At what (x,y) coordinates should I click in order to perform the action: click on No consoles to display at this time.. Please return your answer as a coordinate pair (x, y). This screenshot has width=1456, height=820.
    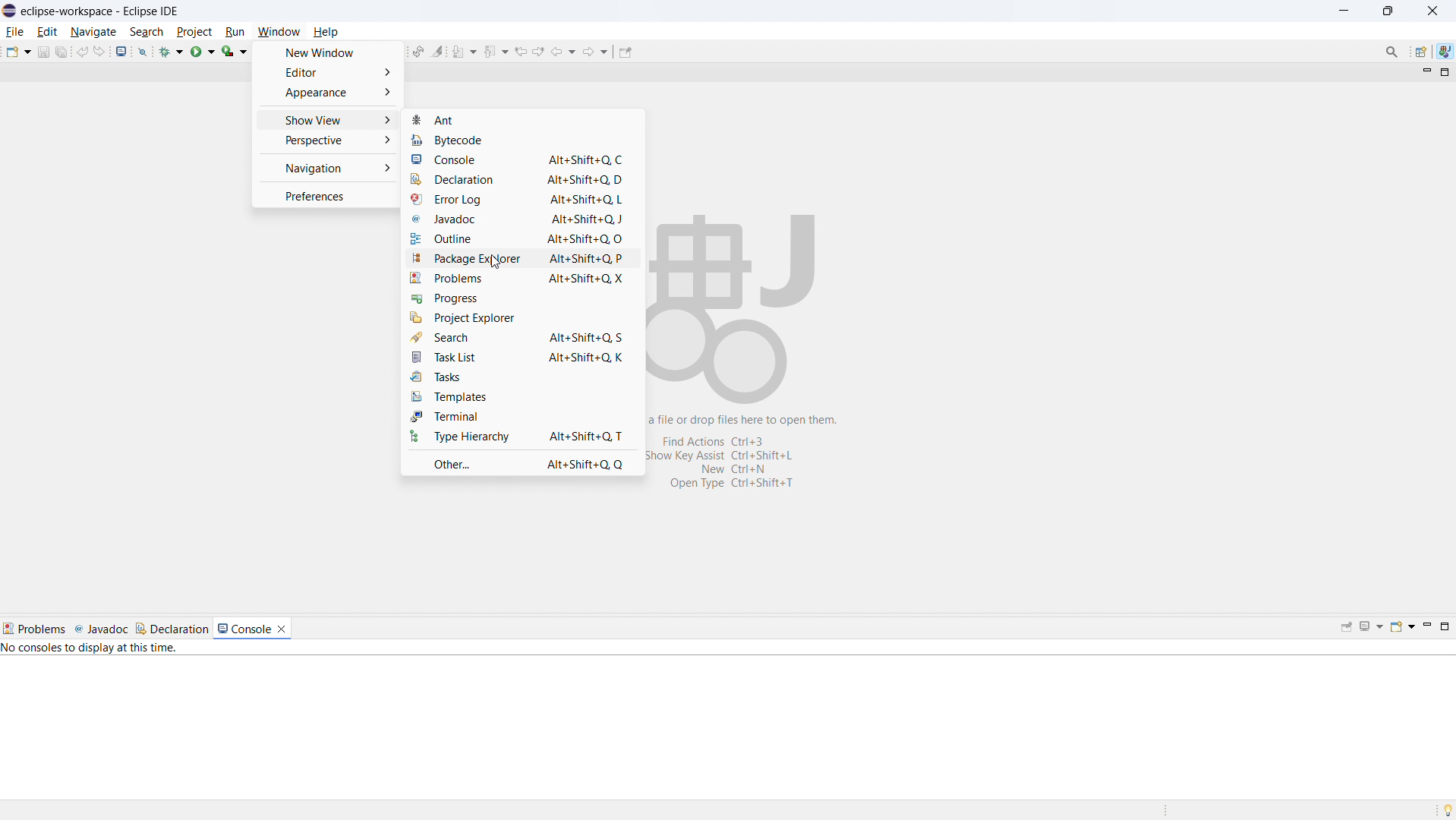
    Looking at the image, I should click on (90, 649).